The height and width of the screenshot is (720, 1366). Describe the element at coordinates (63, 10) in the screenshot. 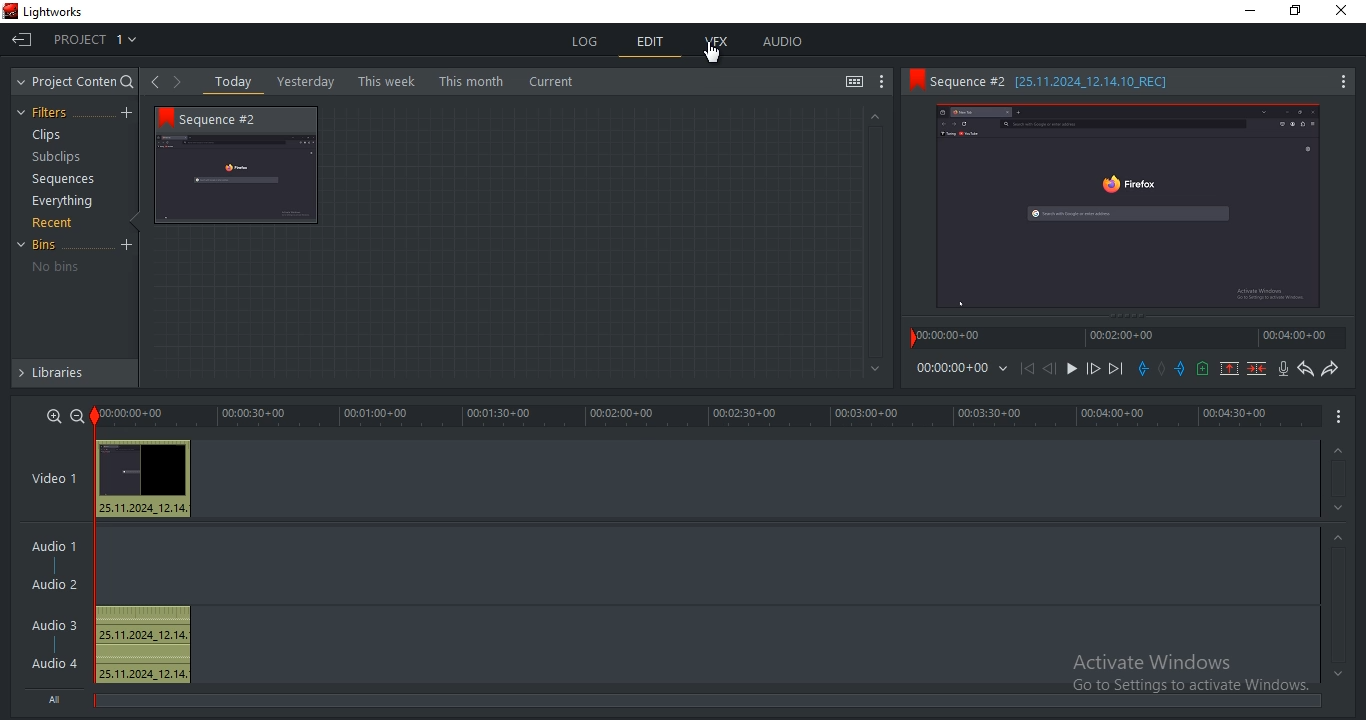

I see `Lightworks` at that location.